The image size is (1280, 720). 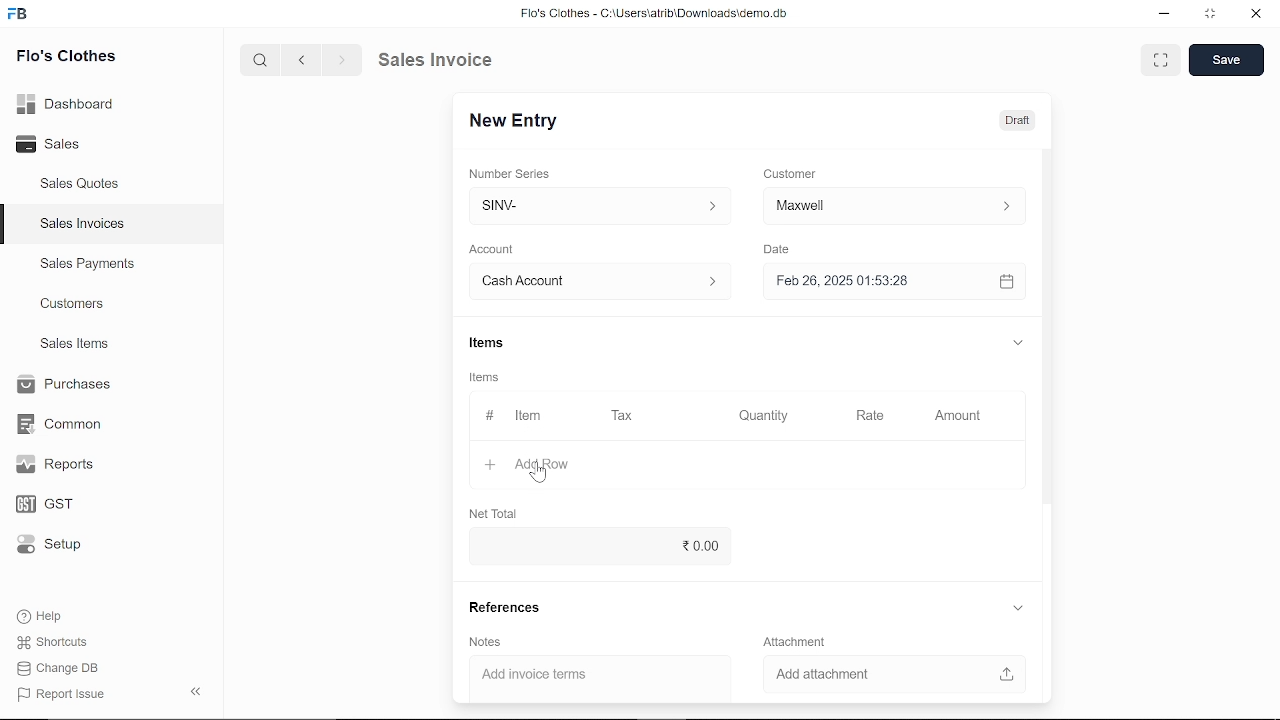 I want to click on Setup, so click(x=63, y=546).